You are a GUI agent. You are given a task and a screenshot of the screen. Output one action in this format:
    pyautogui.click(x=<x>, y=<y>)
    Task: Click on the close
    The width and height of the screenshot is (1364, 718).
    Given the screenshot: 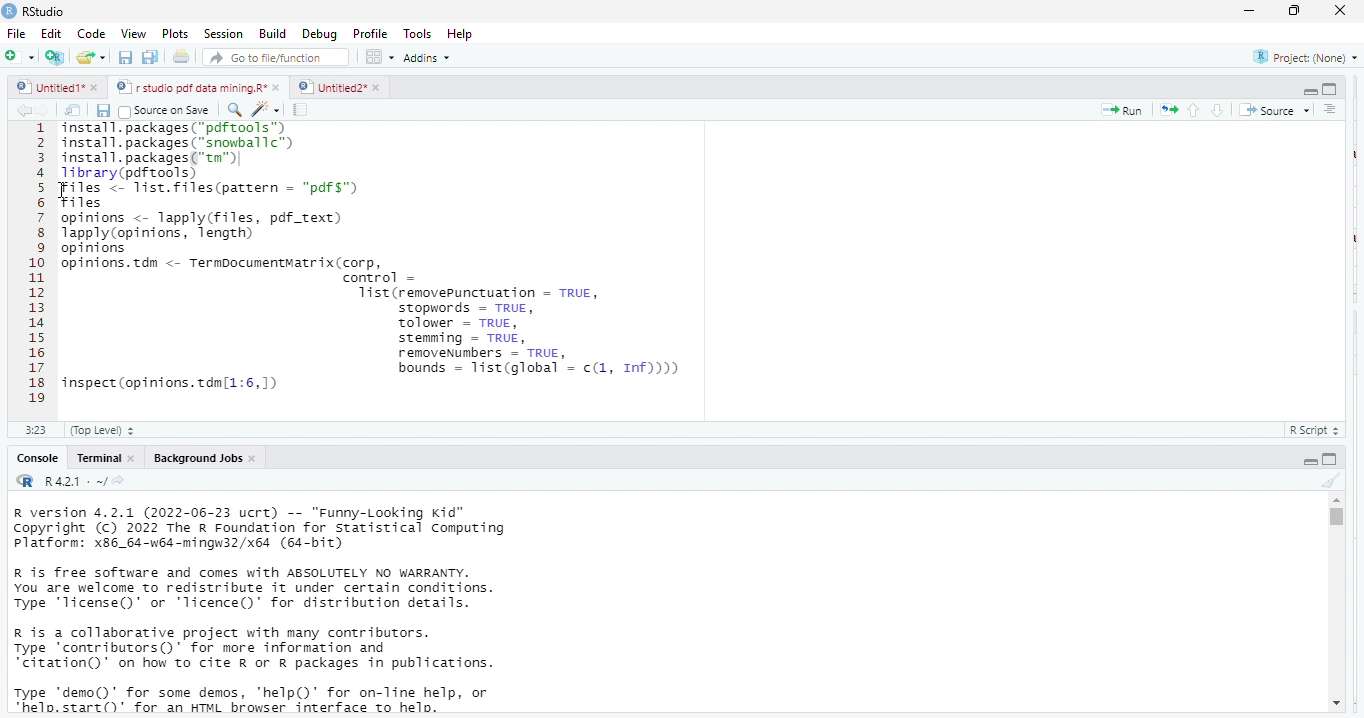 What is the action you would take?
    pyautogui.click(x=255, y=458)
    